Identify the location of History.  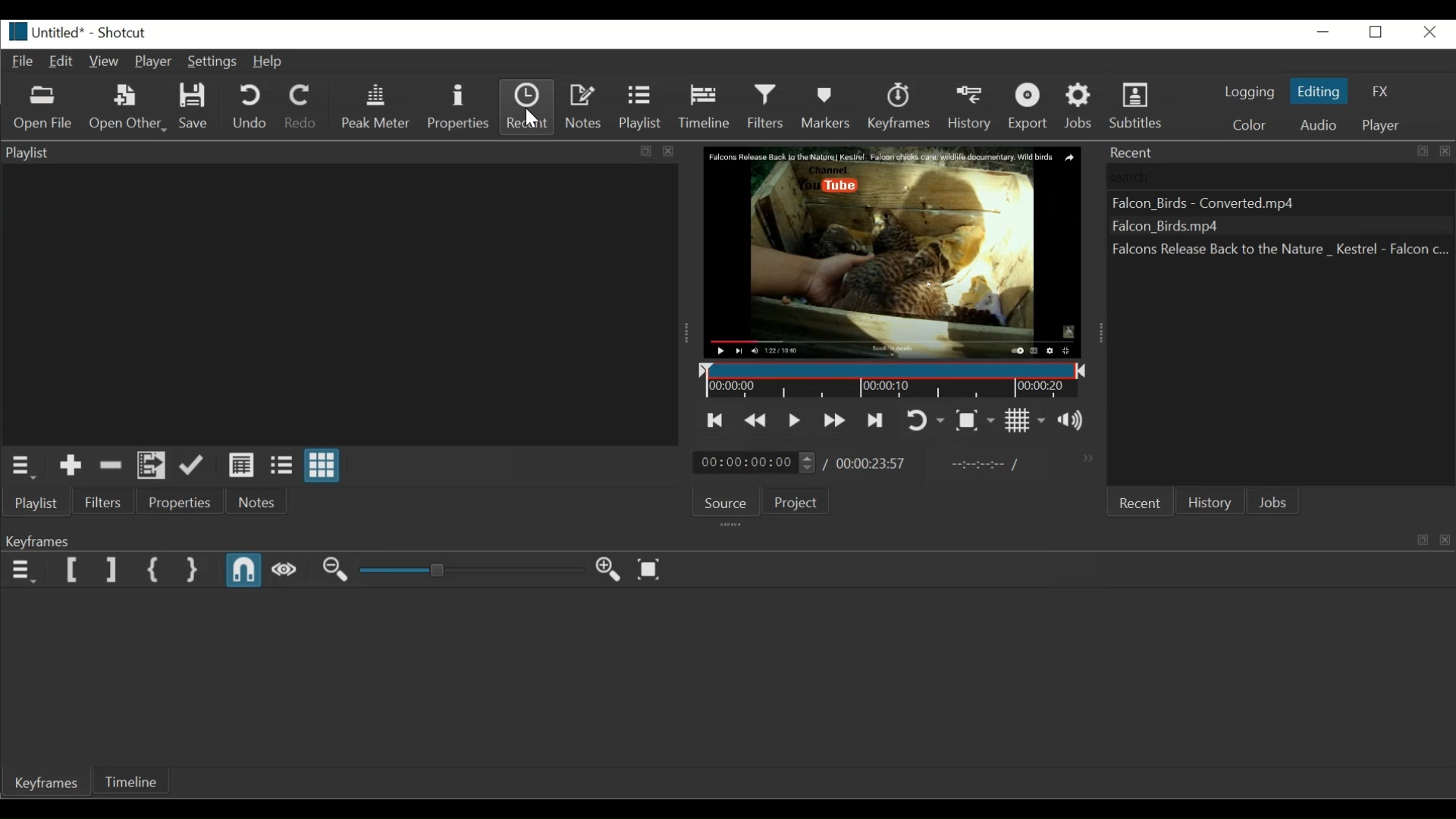
(1209, 503).